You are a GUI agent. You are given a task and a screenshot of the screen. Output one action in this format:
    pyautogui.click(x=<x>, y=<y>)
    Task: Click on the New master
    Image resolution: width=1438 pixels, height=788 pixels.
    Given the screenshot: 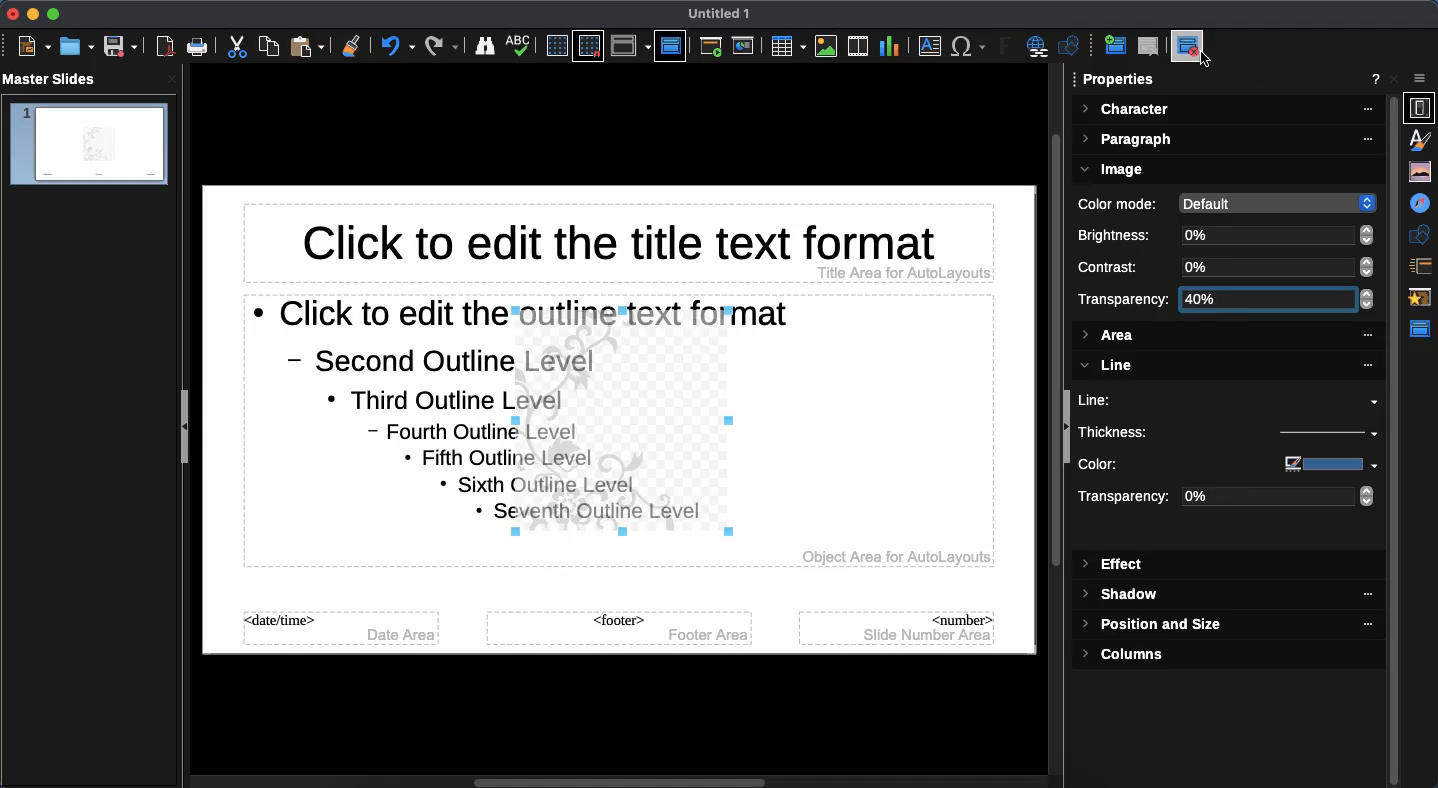 What is the action you would take?
    pyautogui.click(x=1113, y=47)
    